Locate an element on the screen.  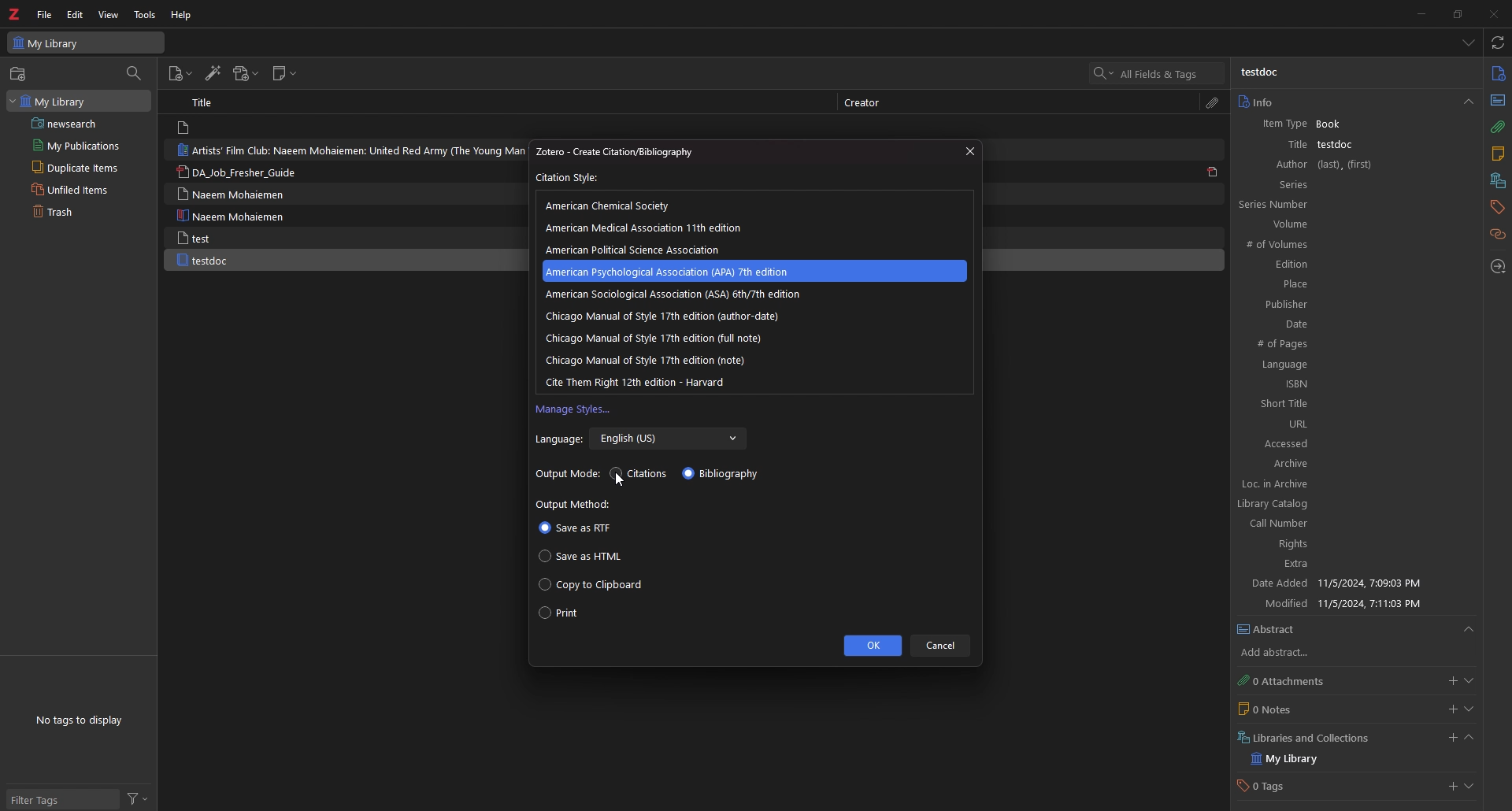
sync with zotero.org is located at coordinates (1499, 42).